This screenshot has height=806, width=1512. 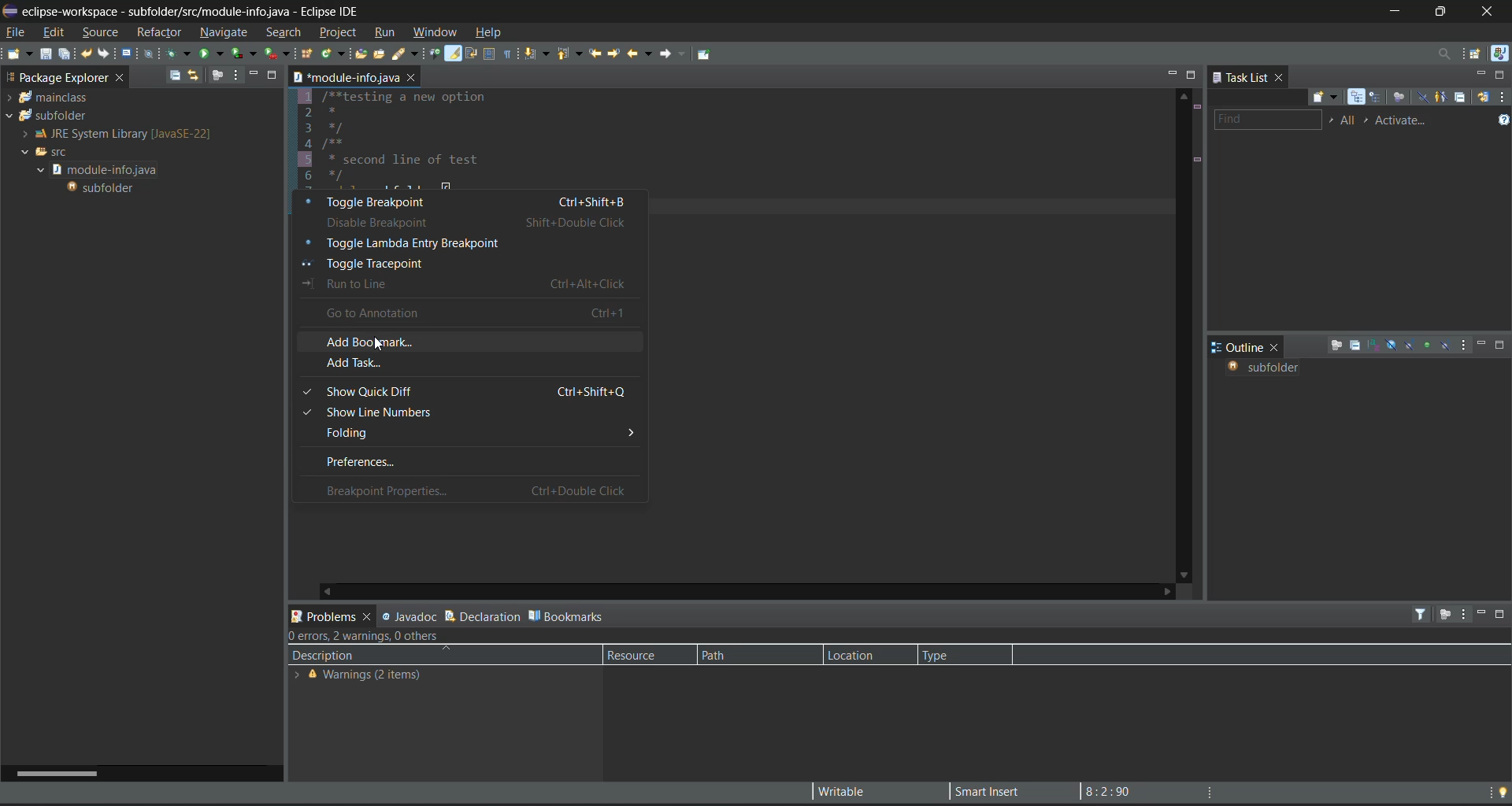 I want to click on maximize, so click(x=1503, y=616).